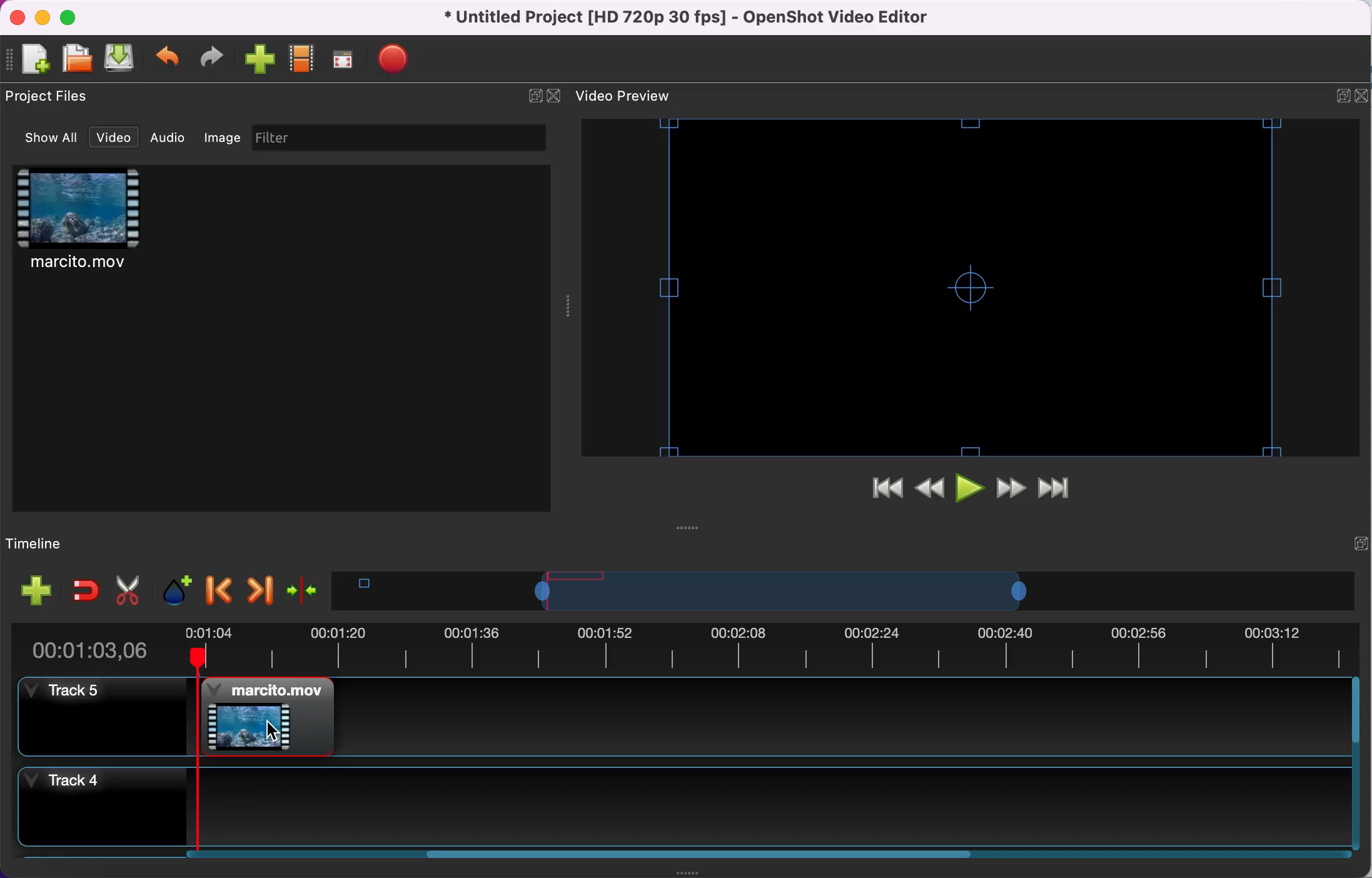 The height and width of the screenshot is (878, 1372). Describe the element at coordinates (303, 59) in the screenshot. I see `choose profile` at that location.